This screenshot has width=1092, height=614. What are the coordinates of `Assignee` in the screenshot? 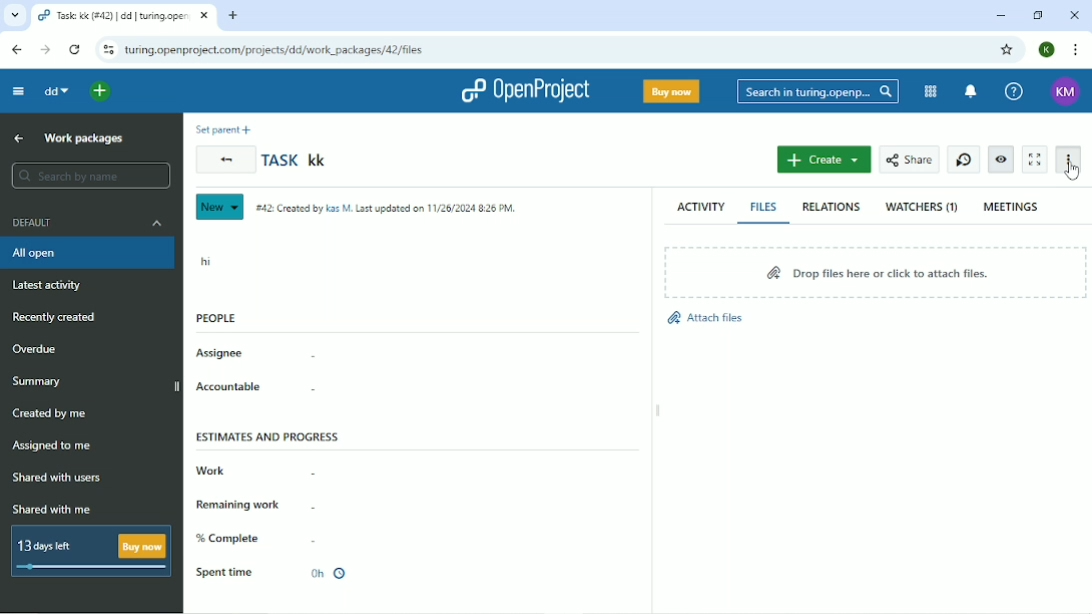 It's located at (256, 355).